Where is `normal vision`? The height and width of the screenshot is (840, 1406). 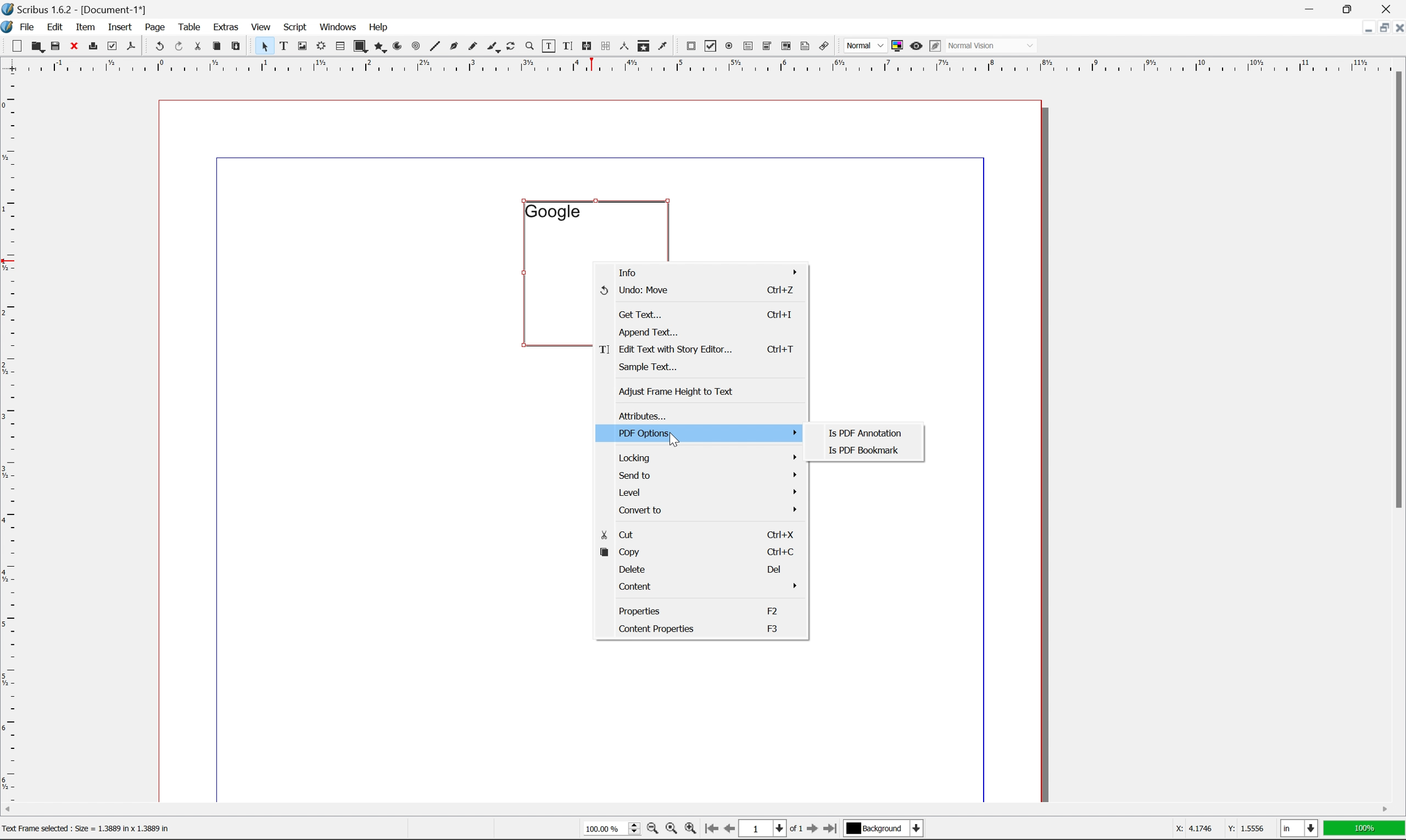 normal vision is located at coordinates (993, 45).